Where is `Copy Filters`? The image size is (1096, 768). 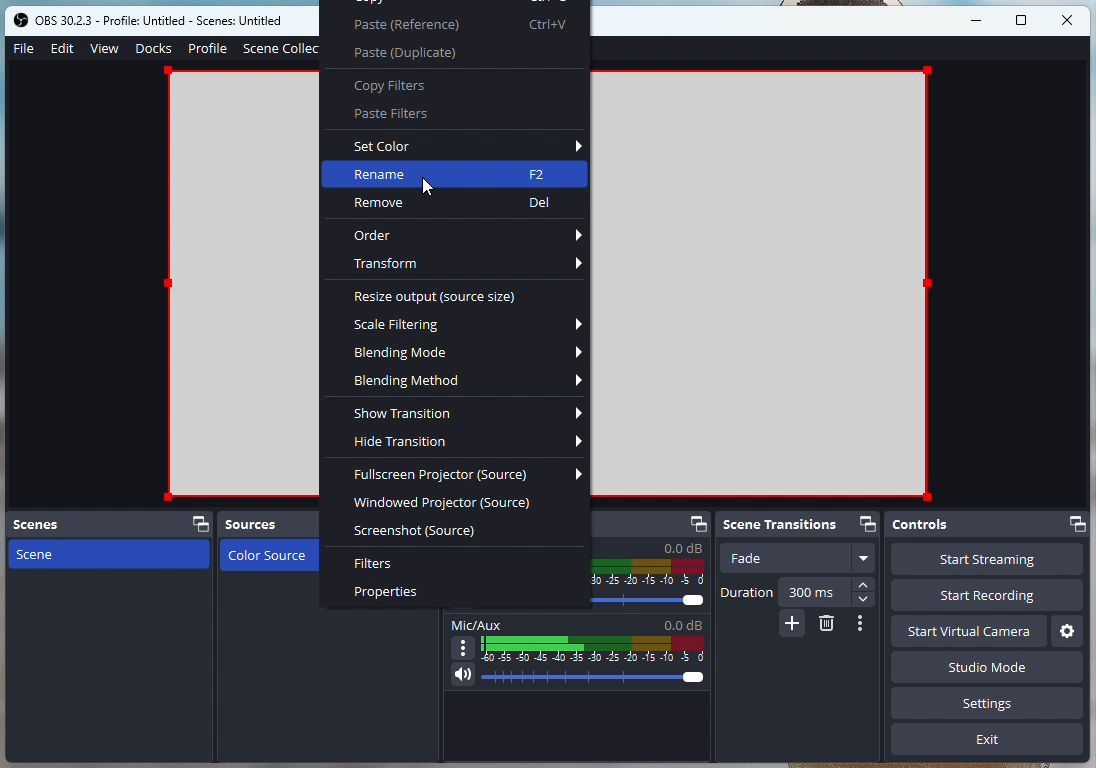
Copy Filters is located at coordinates (407, 87).